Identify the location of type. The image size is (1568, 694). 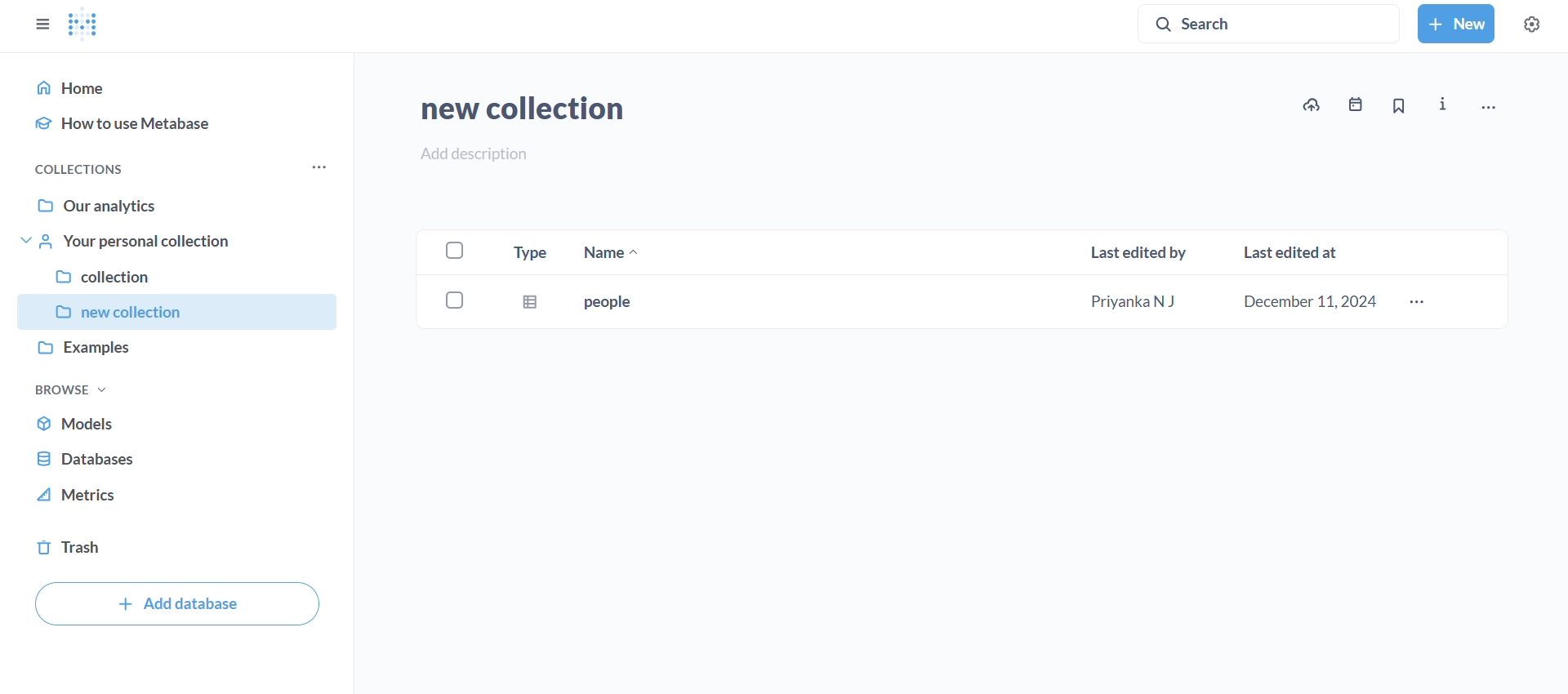
(528, 249).